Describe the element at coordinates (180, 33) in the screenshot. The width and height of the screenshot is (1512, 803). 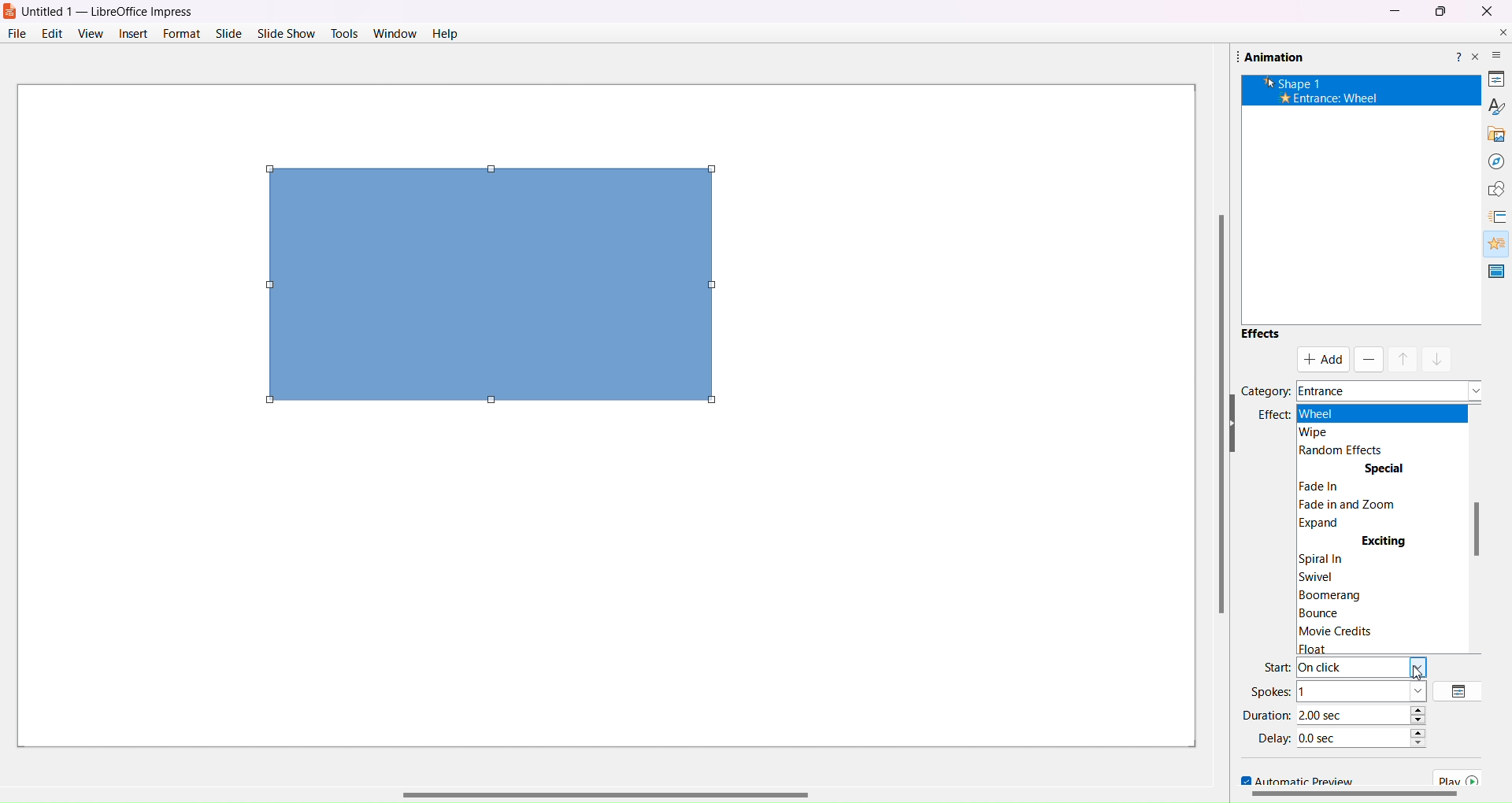
I see `Format` at that location.